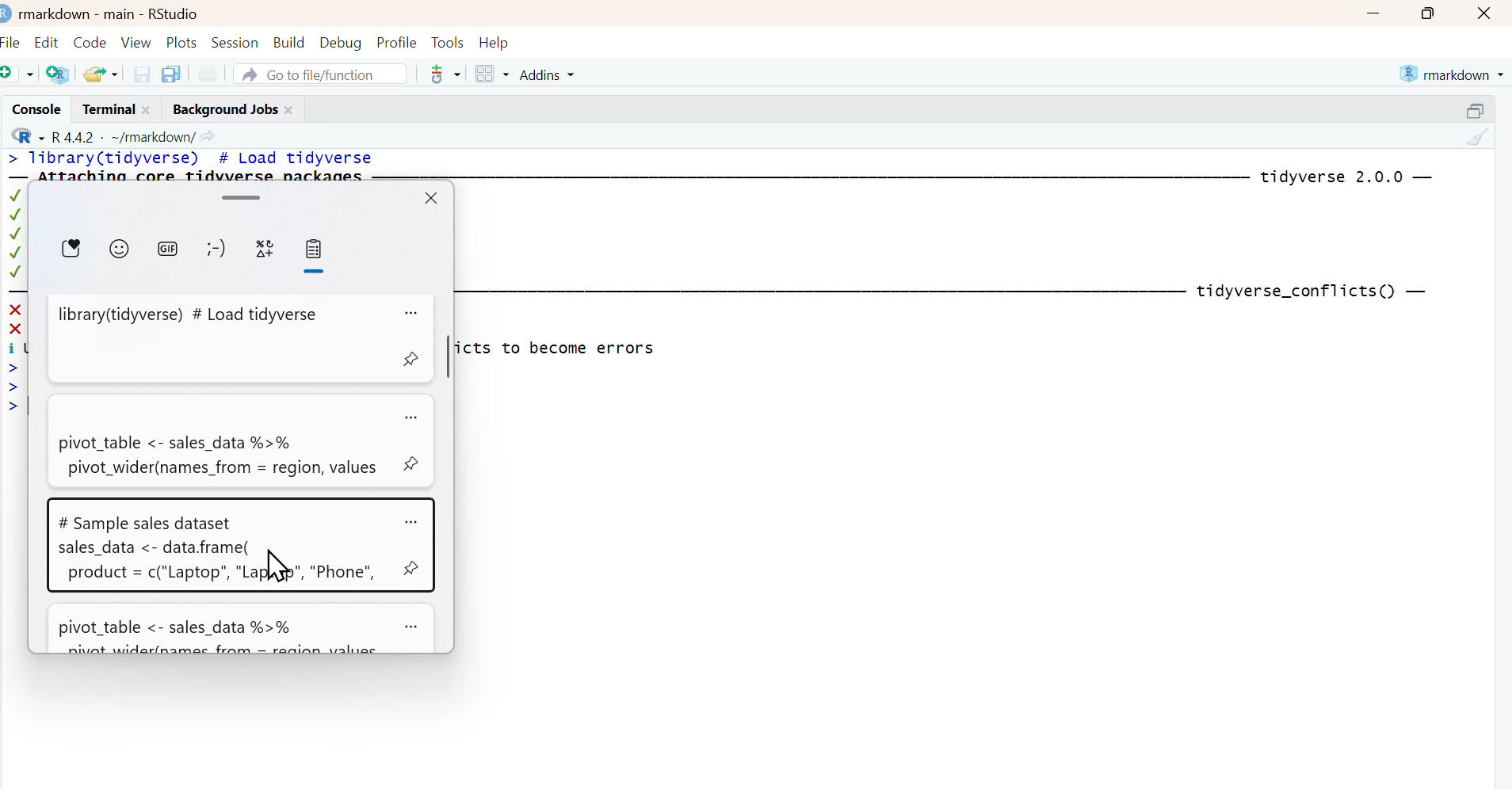  I want to click on close, so click(151, 109).